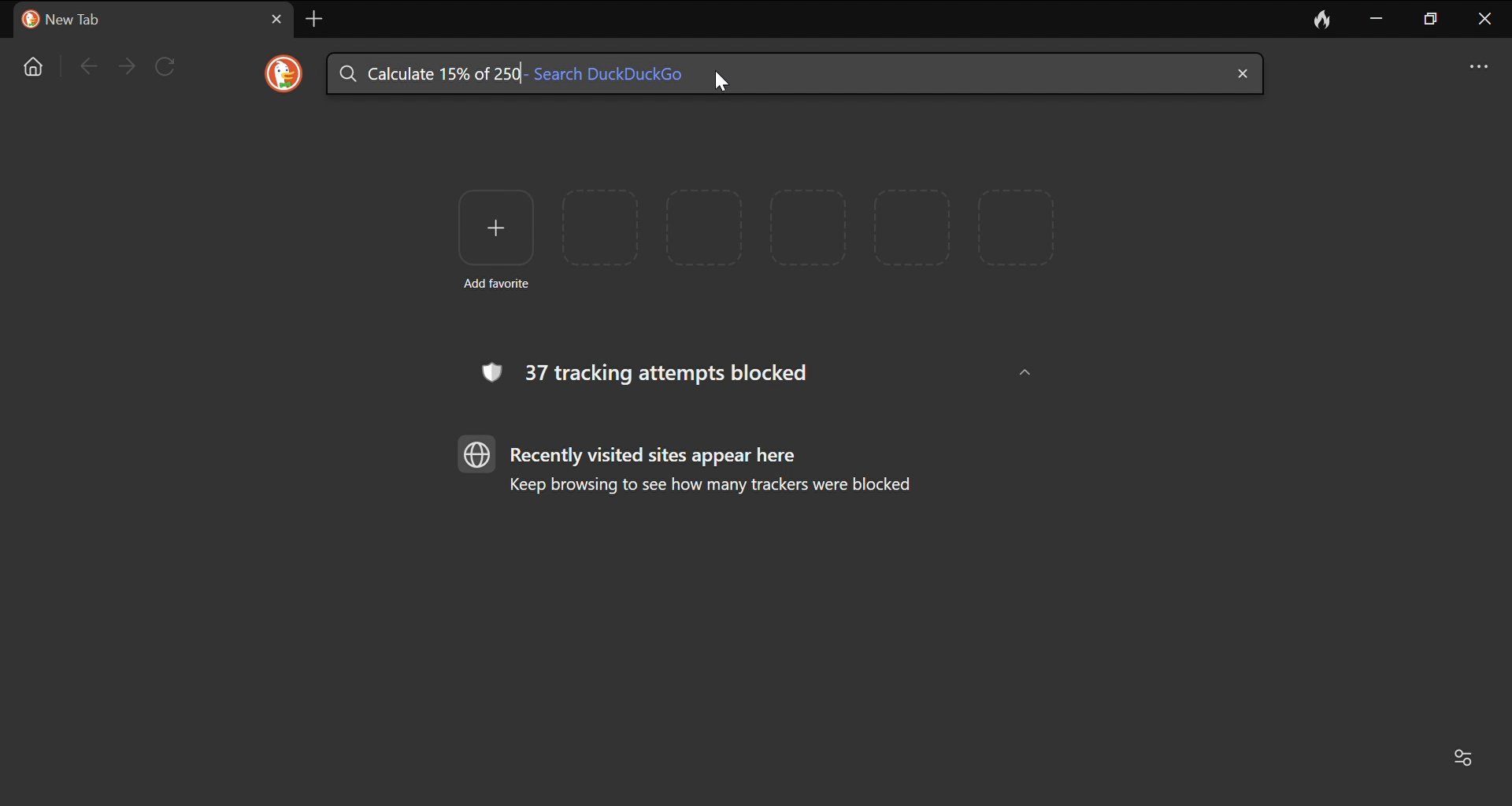 This screenshot has width=1512, height=806. Describe the element at coordinates (730, 79) in the screenshot. I see `Cursor` at that location.